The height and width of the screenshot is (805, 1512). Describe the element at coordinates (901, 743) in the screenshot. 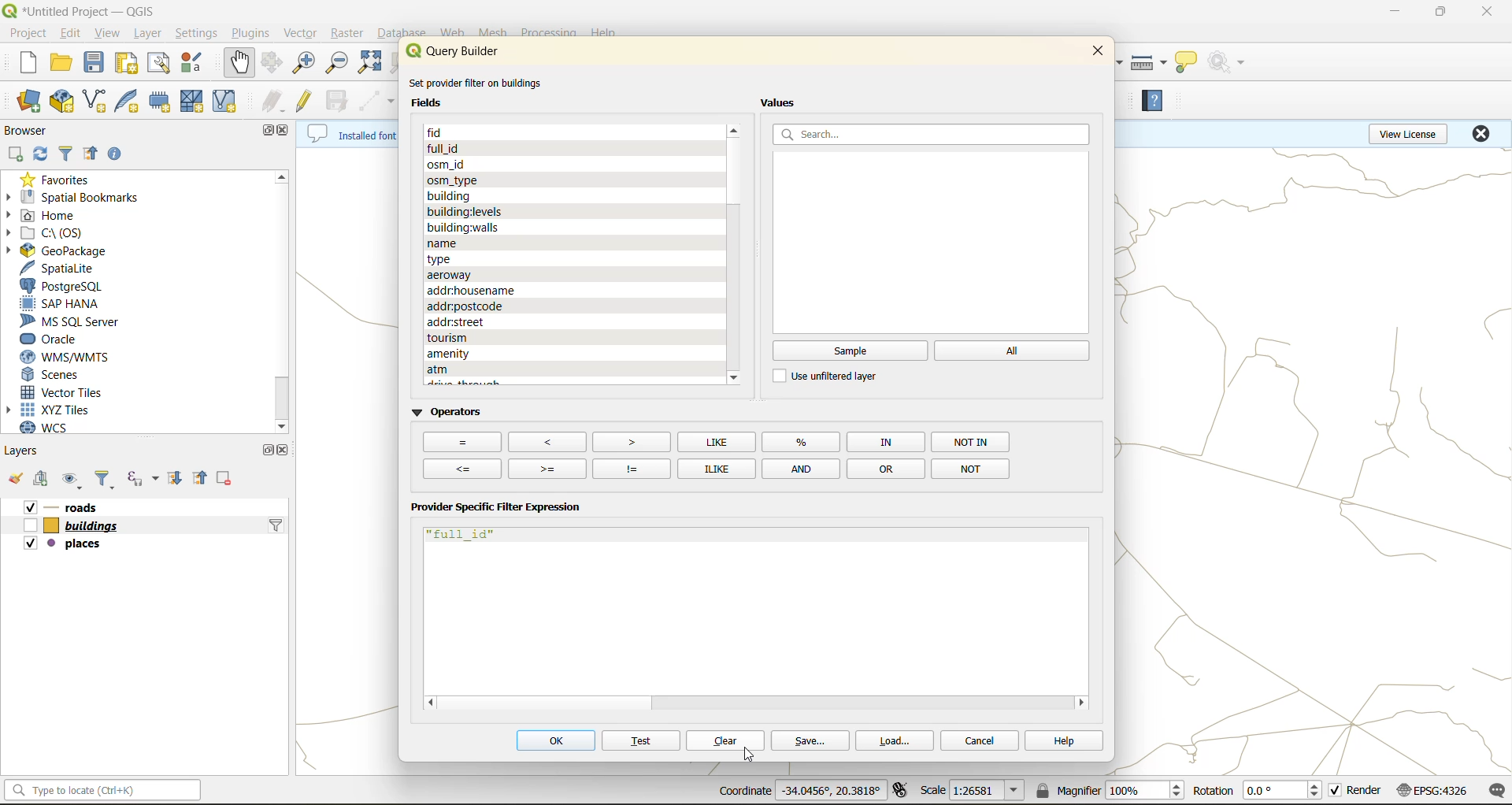

I see `load` at that location.